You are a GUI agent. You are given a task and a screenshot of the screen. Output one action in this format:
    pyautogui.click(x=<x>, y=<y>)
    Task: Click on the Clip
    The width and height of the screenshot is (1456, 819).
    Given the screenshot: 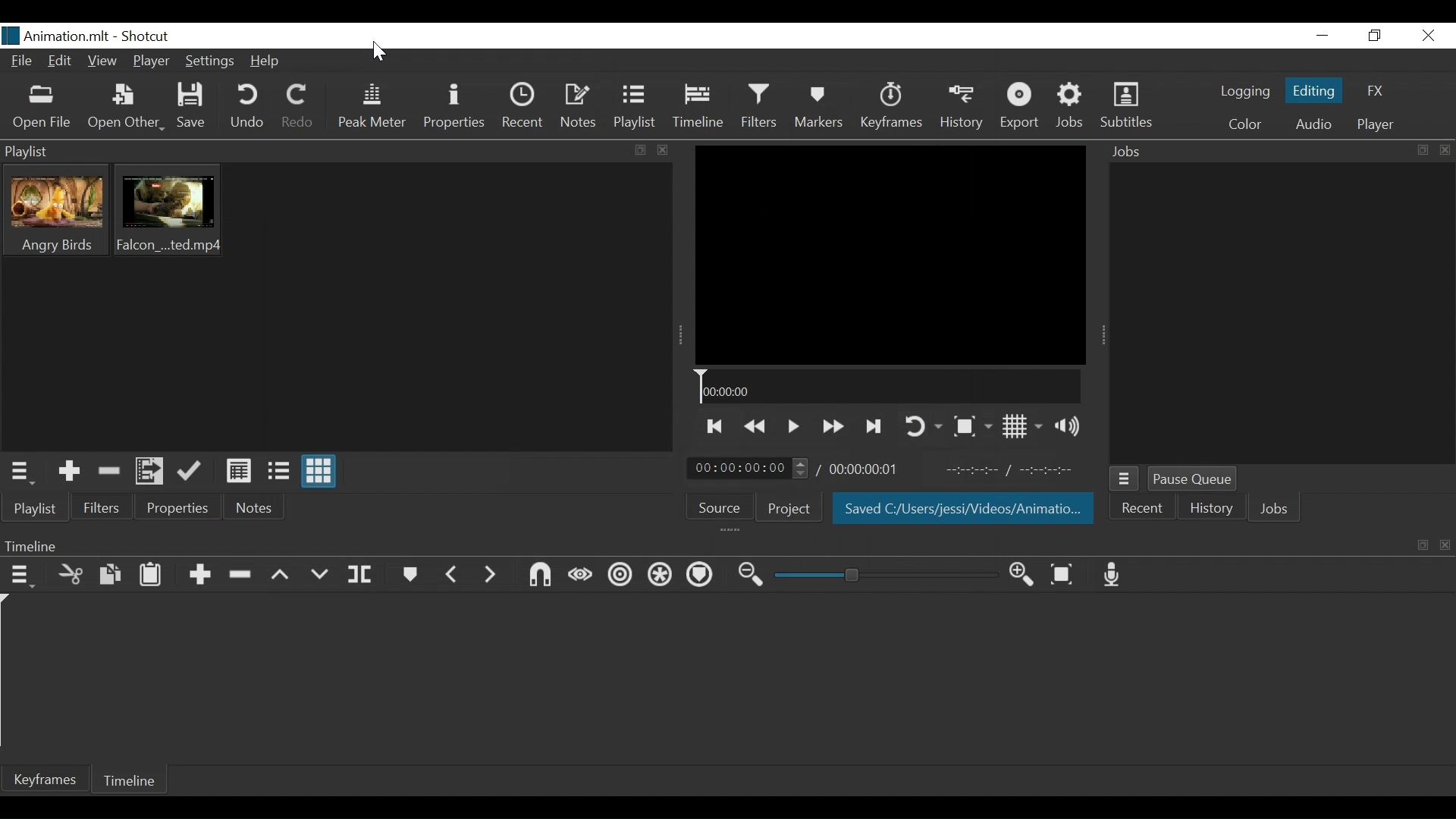 What is the action you would take?
    pyautogui.click(x=170, y=210)
    